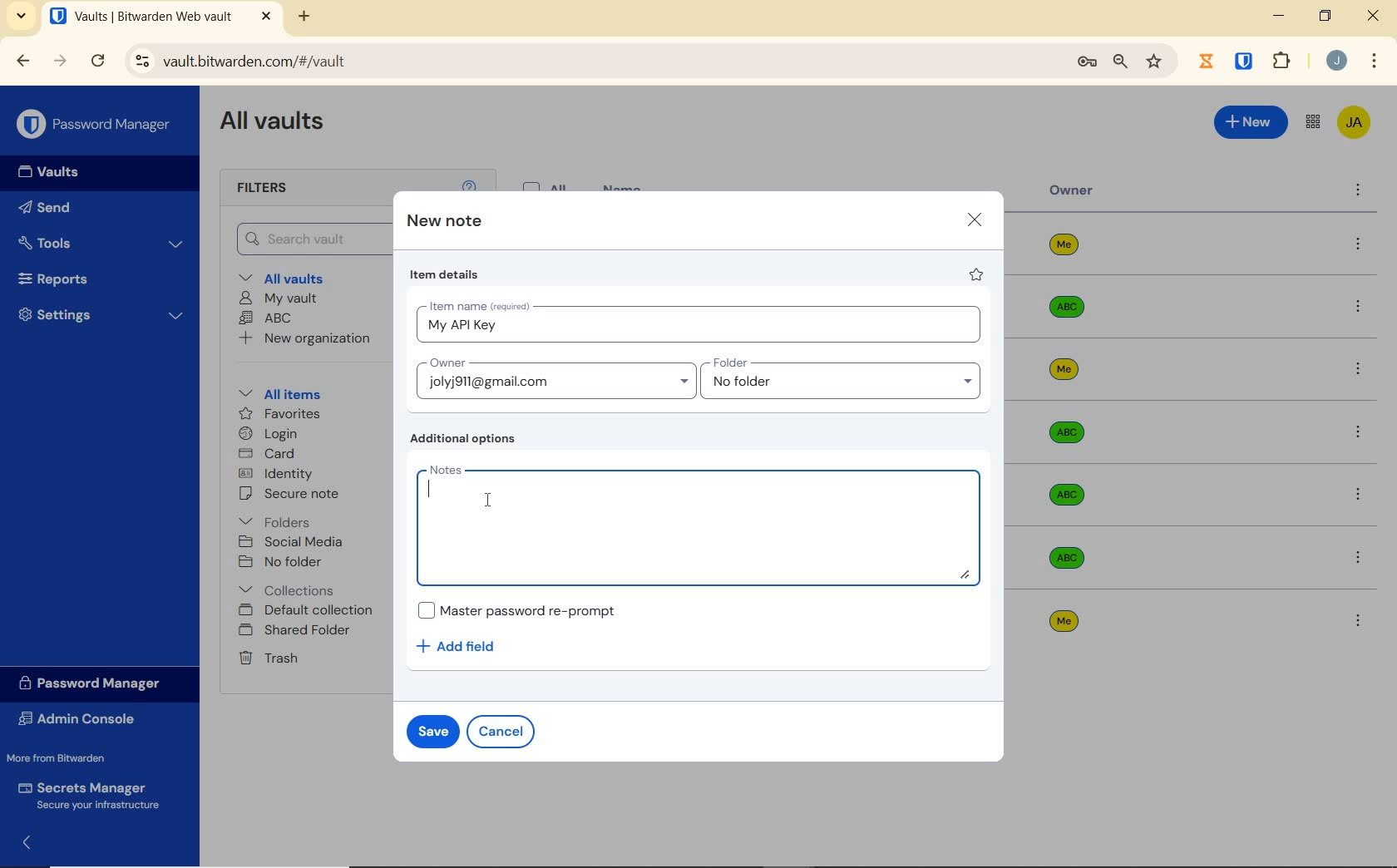  I want to click on All Vaults, so click(279, 126).